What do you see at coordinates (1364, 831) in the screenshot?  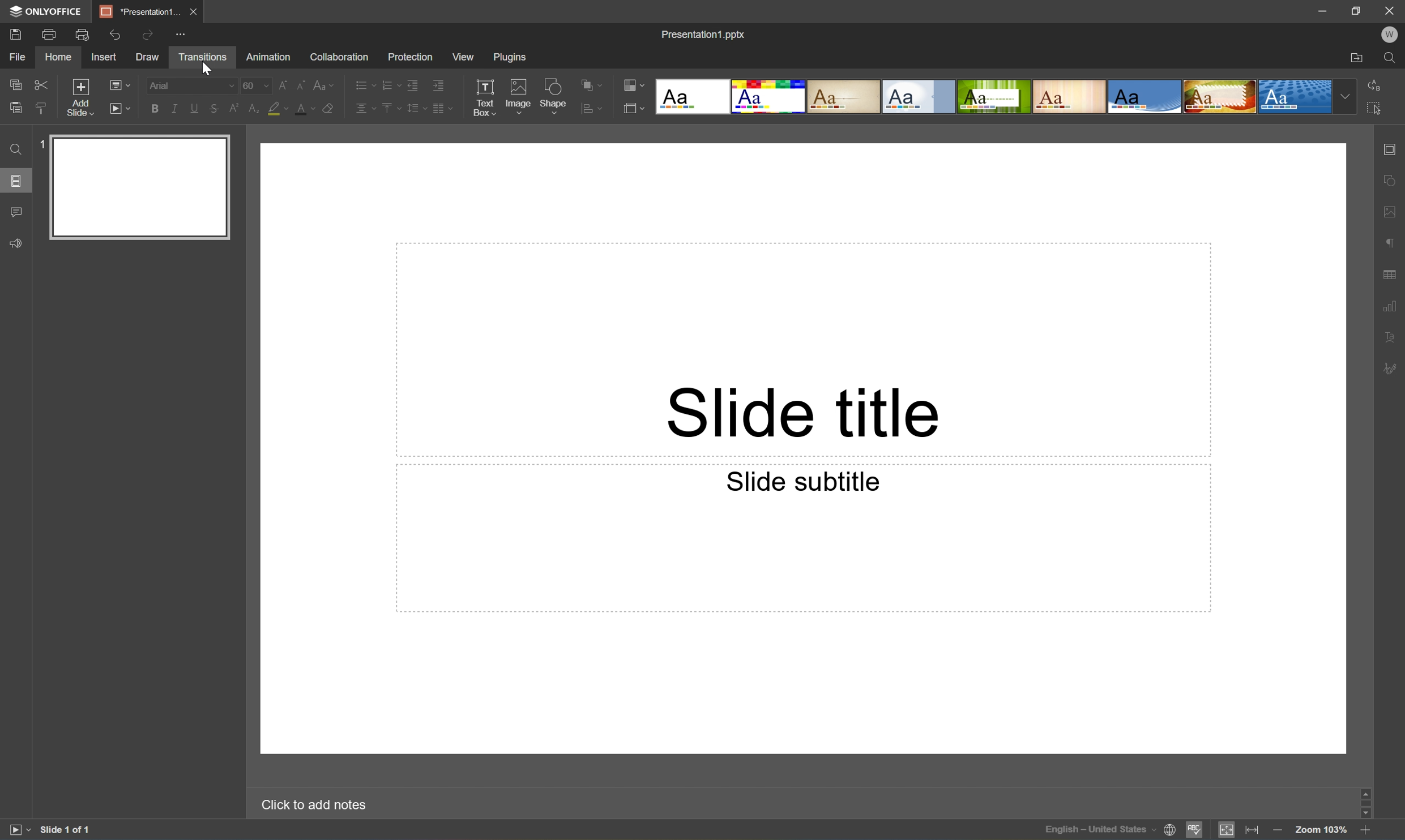 I see `Zoom in` at bounding box center [1364, 831].